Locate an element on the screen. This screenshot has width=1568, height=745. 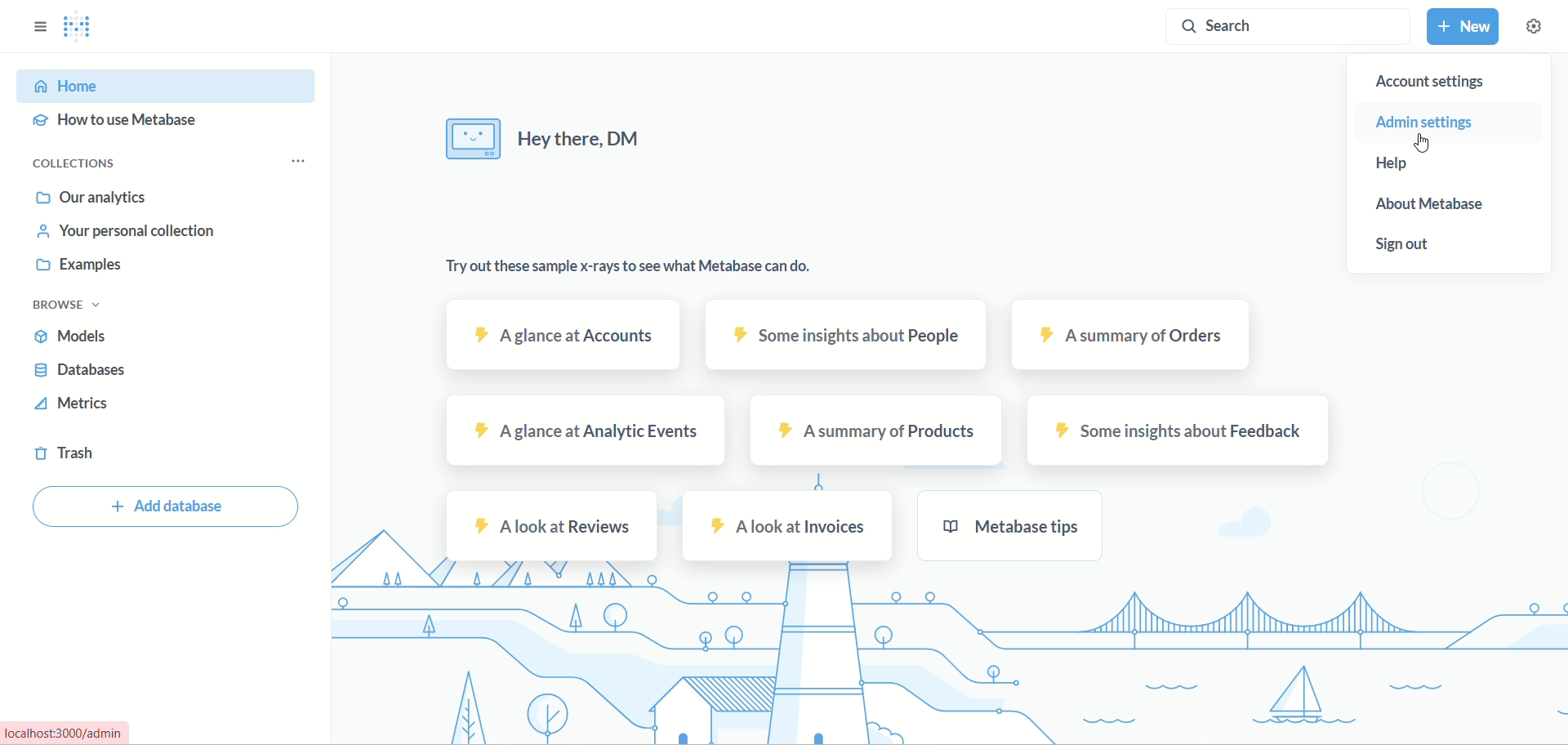
browse is located at coordinates (62, 306).